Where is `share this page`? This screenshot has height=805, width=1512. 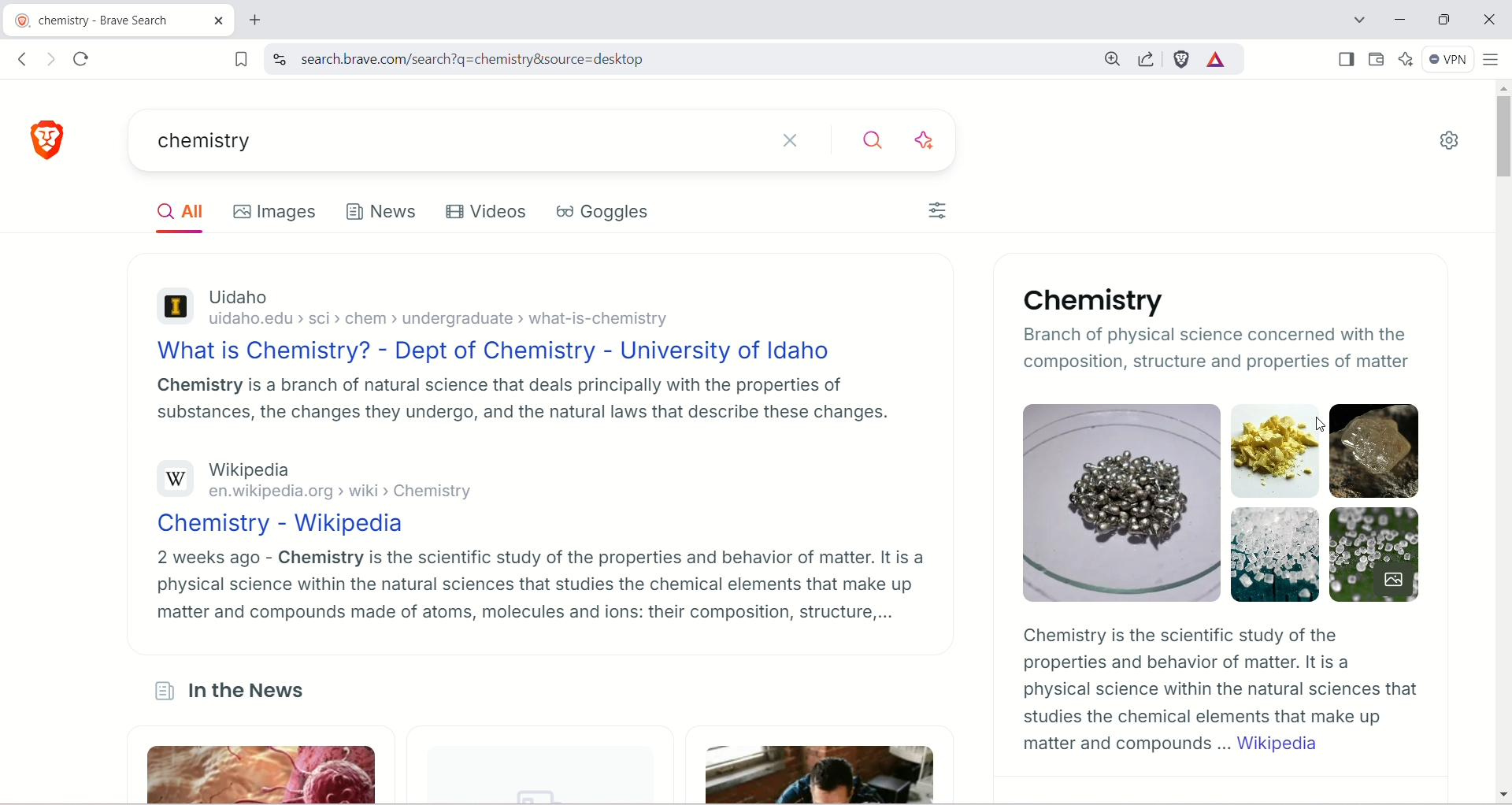
share this page is located at coordinates (1146, 59).